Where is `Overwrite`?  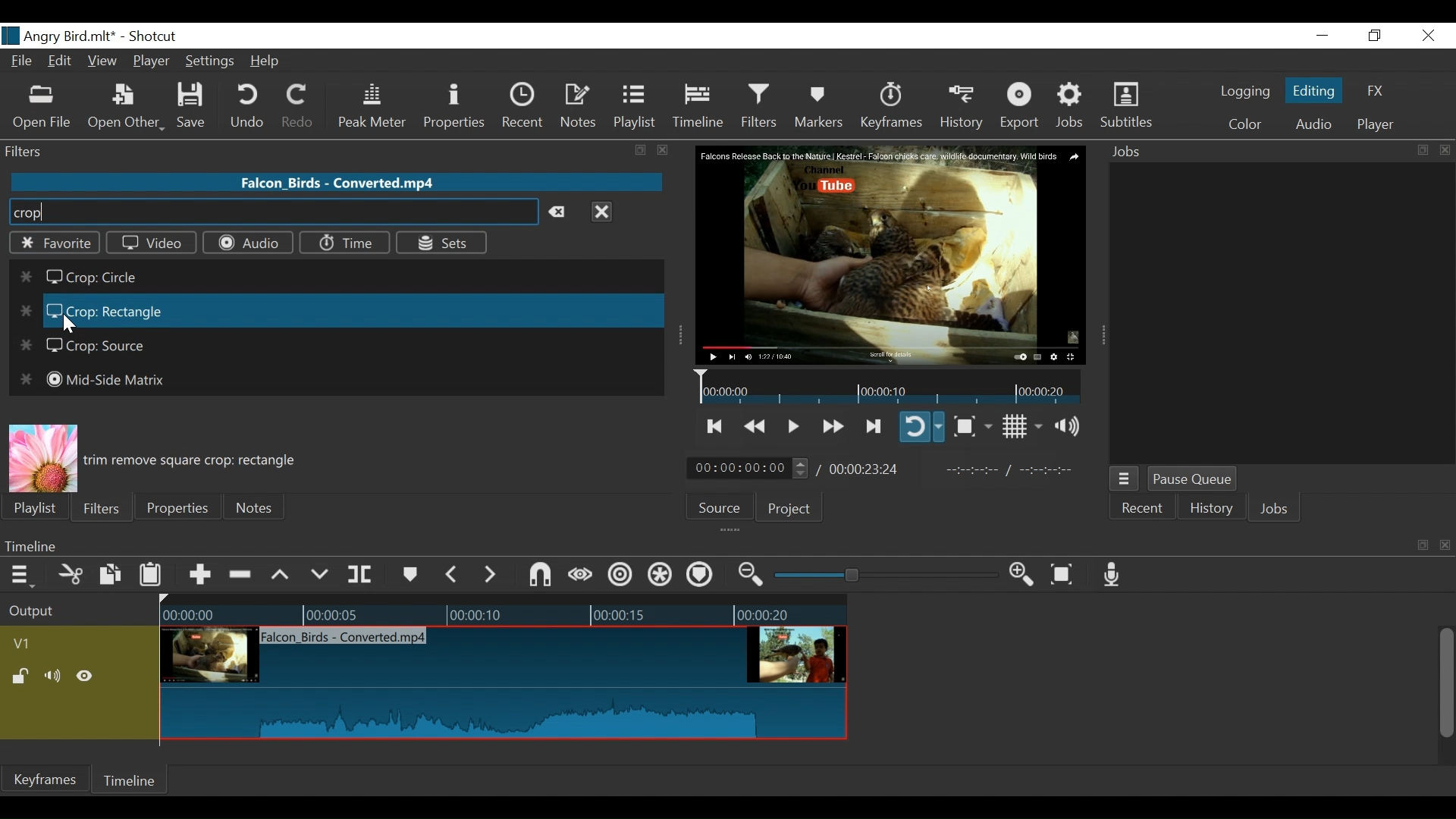 Overwrite is located at coordinates (320, 575).